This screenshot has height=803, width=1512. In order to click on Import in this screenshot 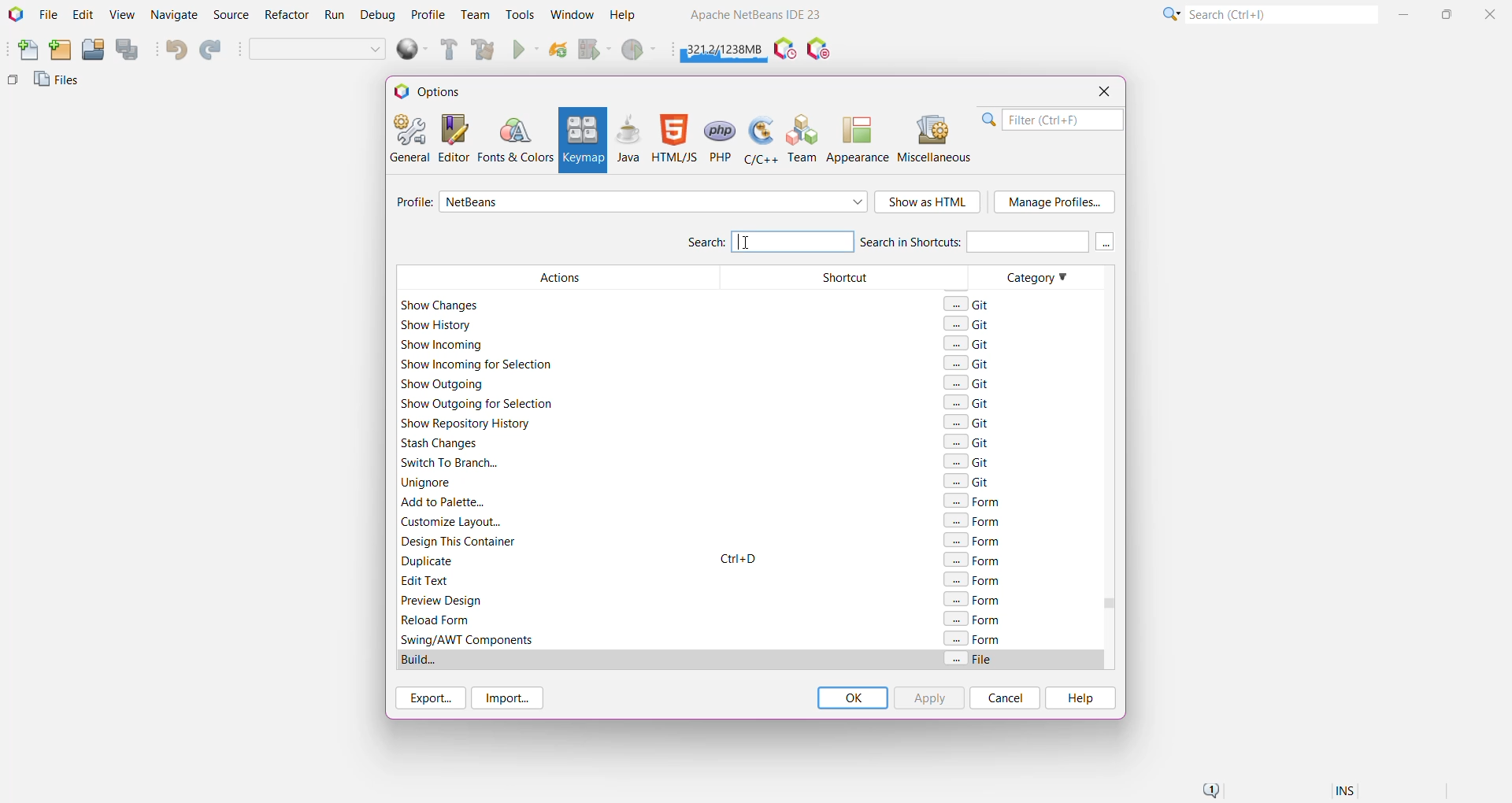, I will do `click(510, 698)`.